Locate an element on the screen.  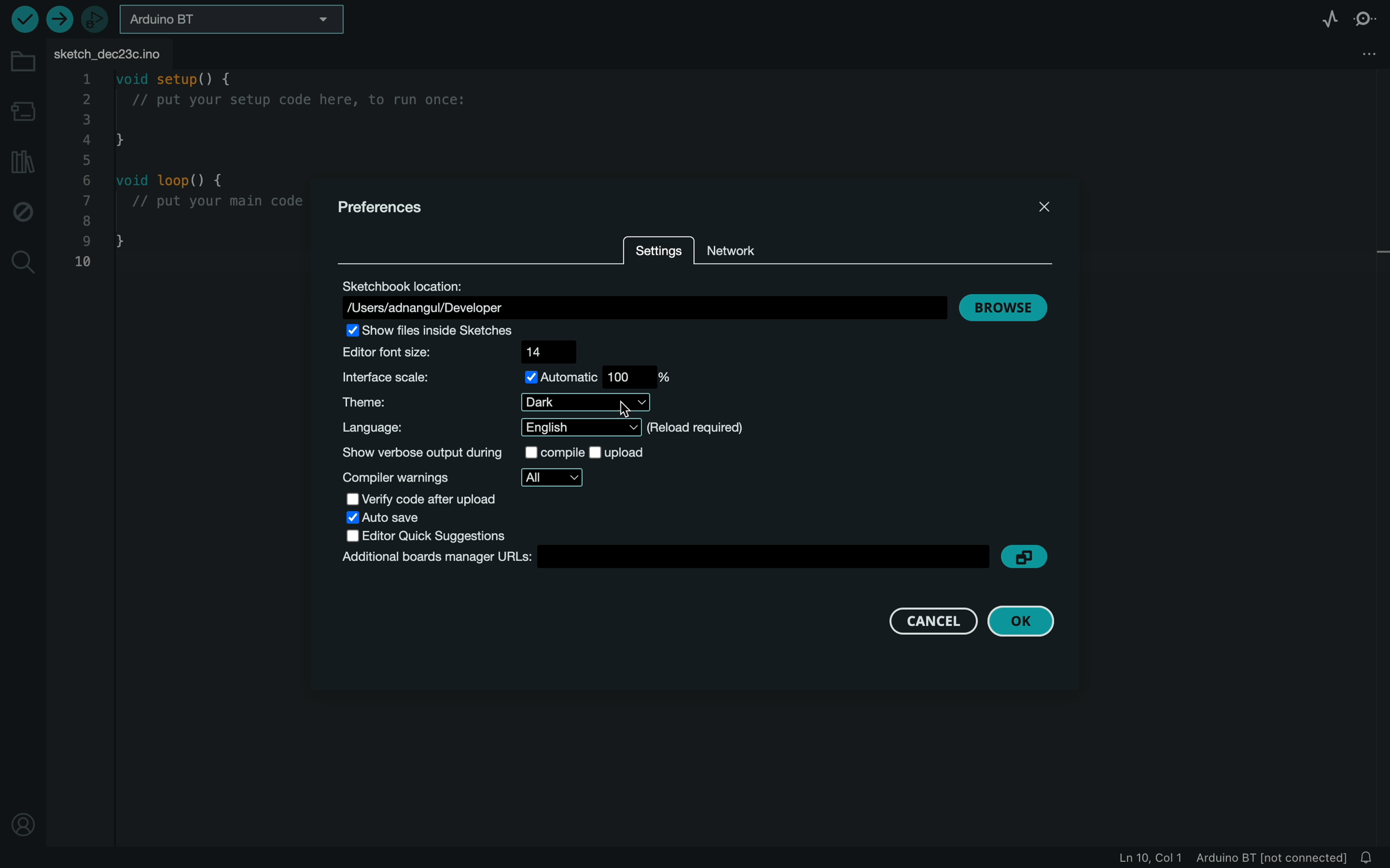
folder is located at coordinates (24, 63).